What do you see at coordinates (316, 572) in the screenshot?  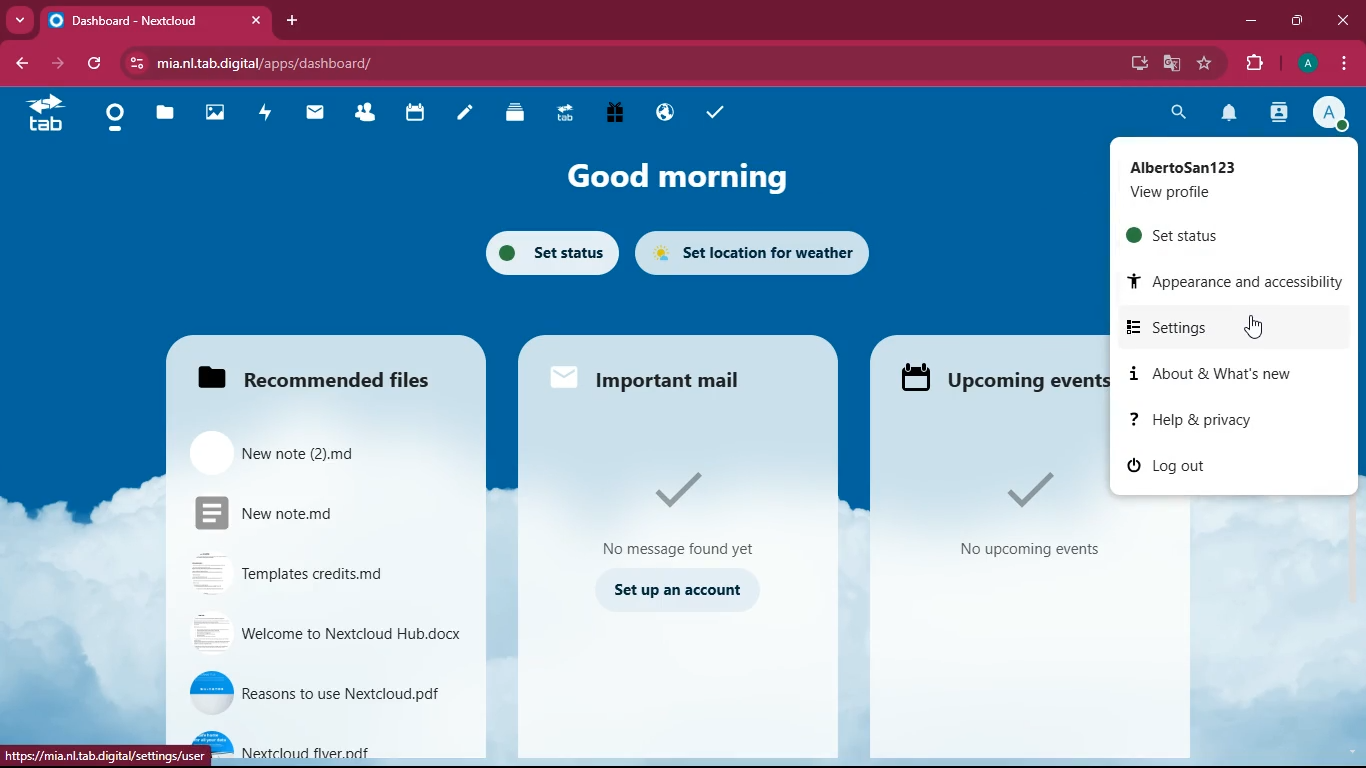 I see `Templates credits.md` at bounding box center [316, 572].